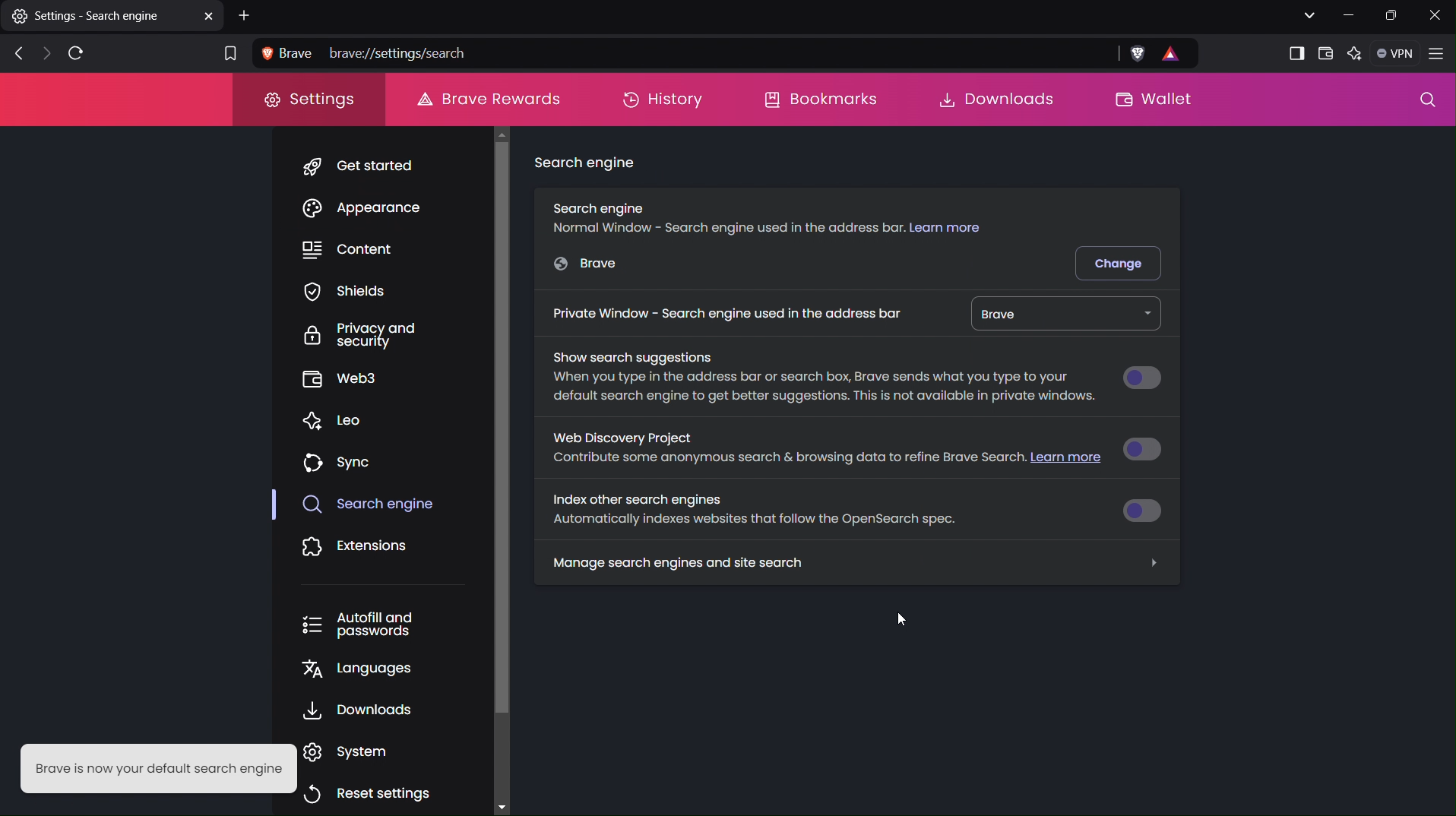 The width and height of the screenshot is (1456, 816). I want to click on Back, so click(14, 54).